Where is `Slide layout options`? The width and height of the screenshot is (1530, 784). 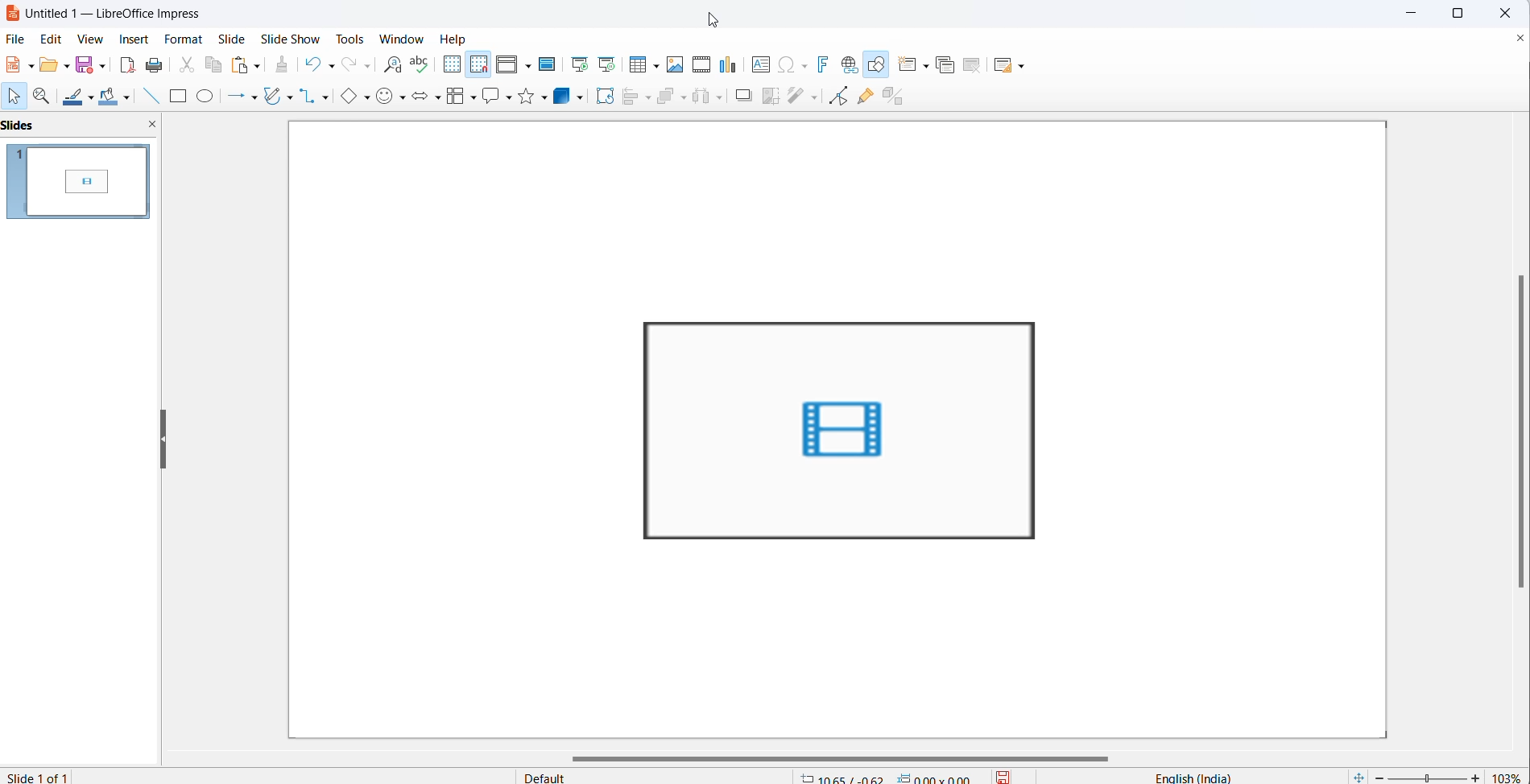 Slide layout options is located at coordinates (1021, 65).